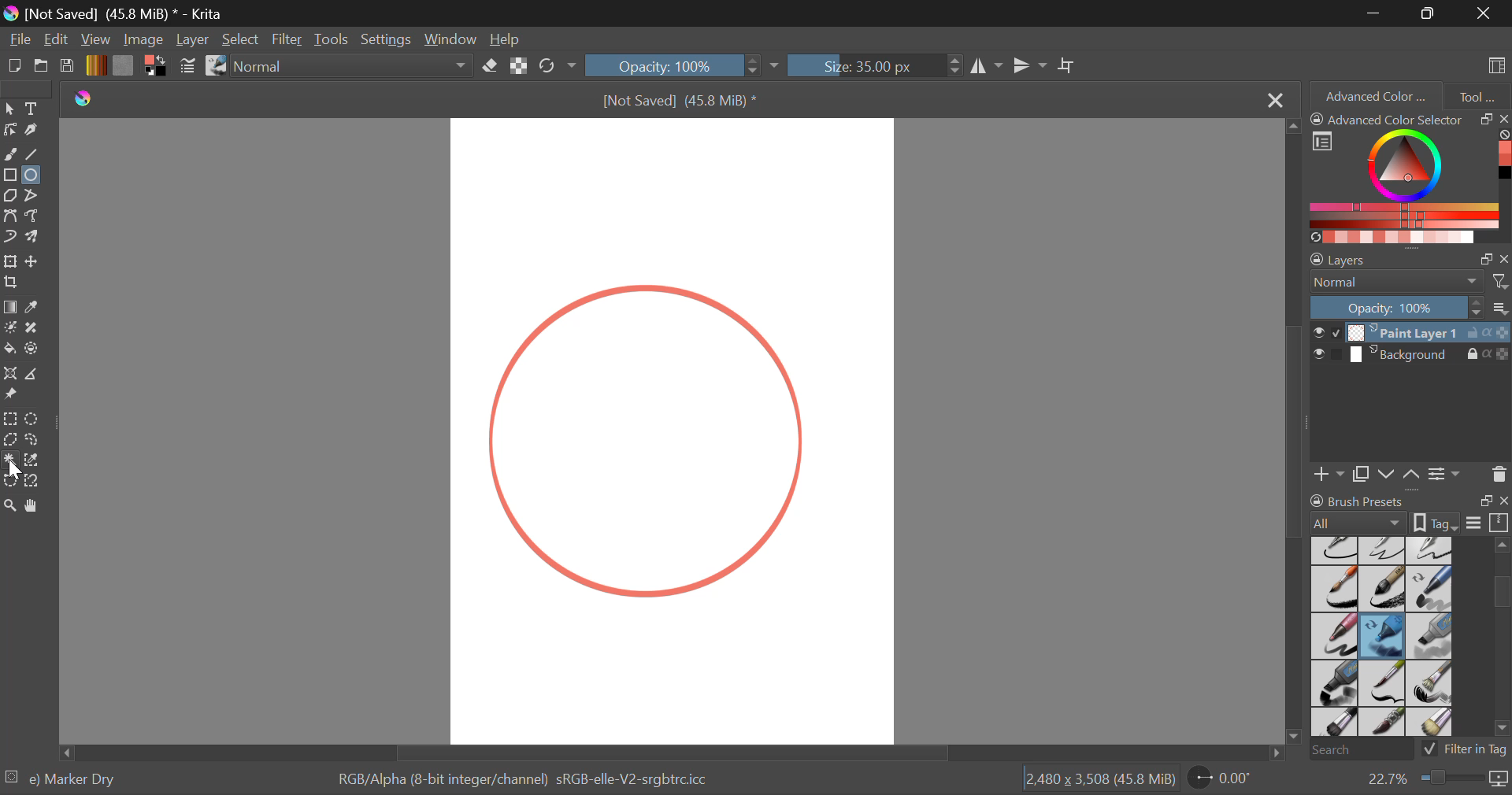 Image resolution: width=1512 pixels, height=795 pixels. What do you see at coordinates (672, 65) in the screenshot?
I see `Opacity 100%` at bounding box center [672, 65].